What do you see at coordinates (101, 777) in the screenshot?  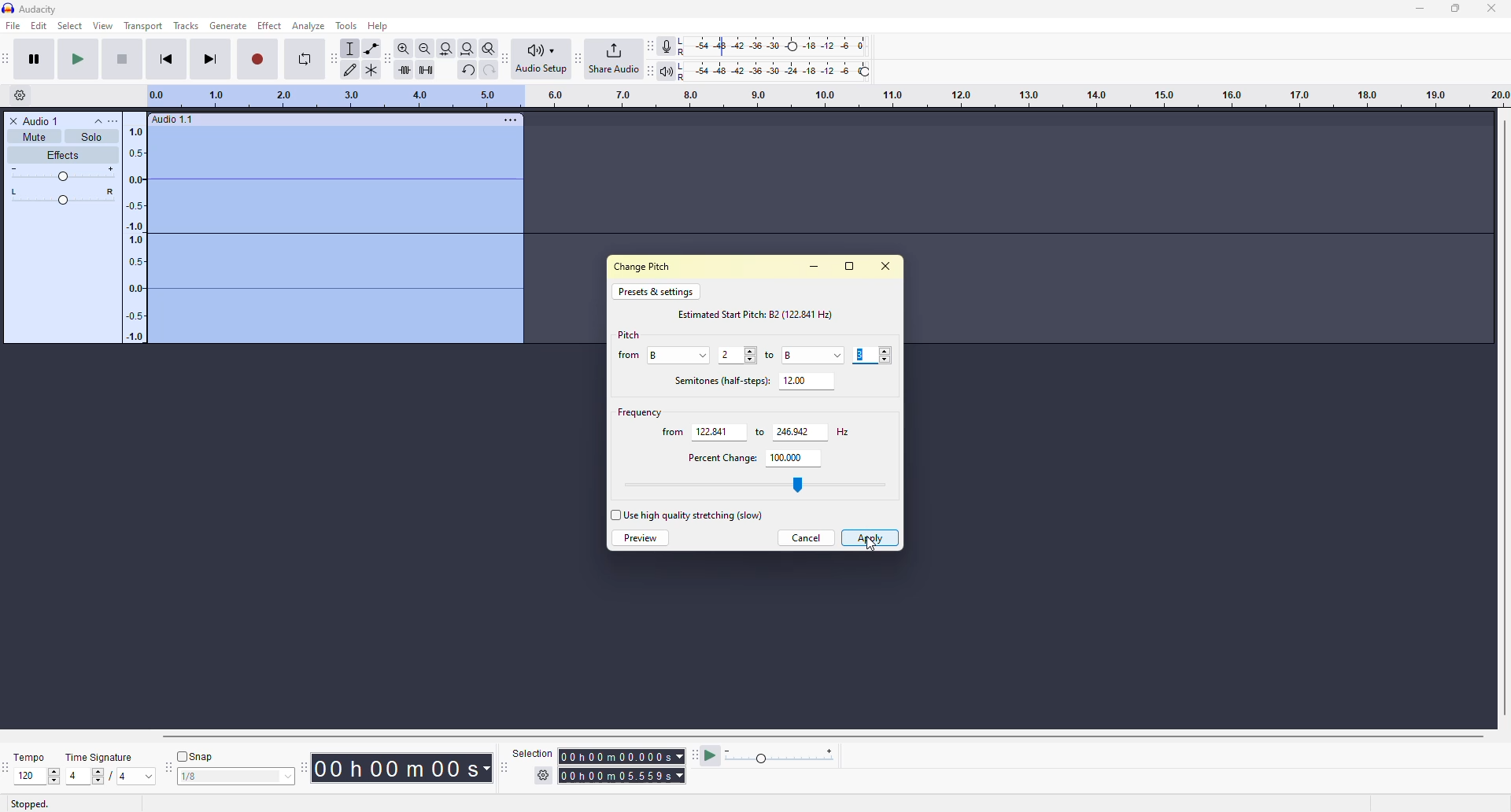 I see `select` at bounding box center [101, 777].